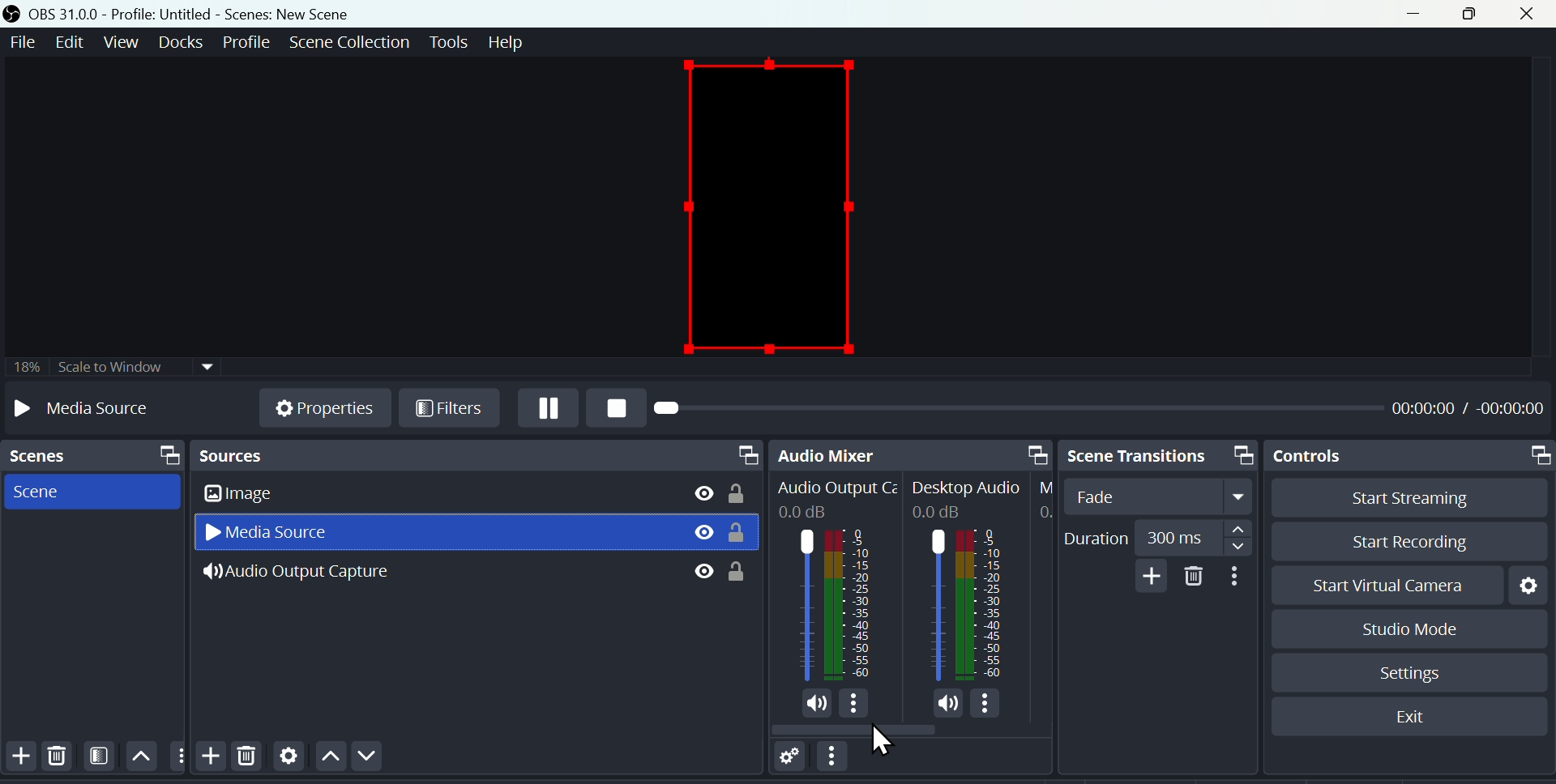 This screenshot has width=1556, height=784. What do you see at coordinates (62, 759) in the screenshot?
I see `Delete` at bounding box center [62, 759].